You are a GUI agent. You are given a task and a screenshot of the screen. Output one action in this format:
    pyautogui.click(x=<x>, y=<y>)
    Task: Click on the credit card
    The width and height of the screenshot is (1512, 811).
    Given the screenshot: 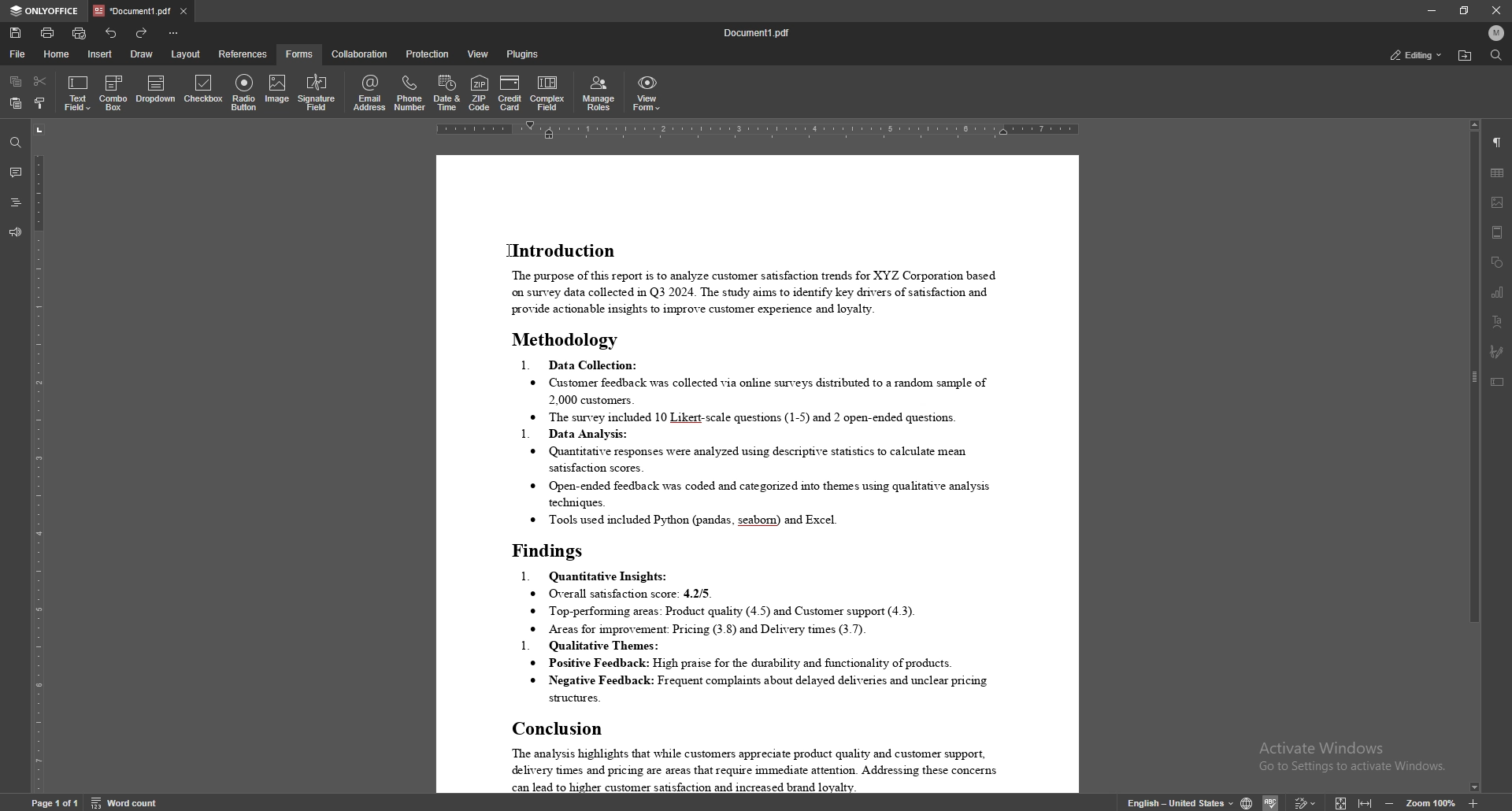 What is the action you would take?
    pyautogui.click(x=510, y=94)
    